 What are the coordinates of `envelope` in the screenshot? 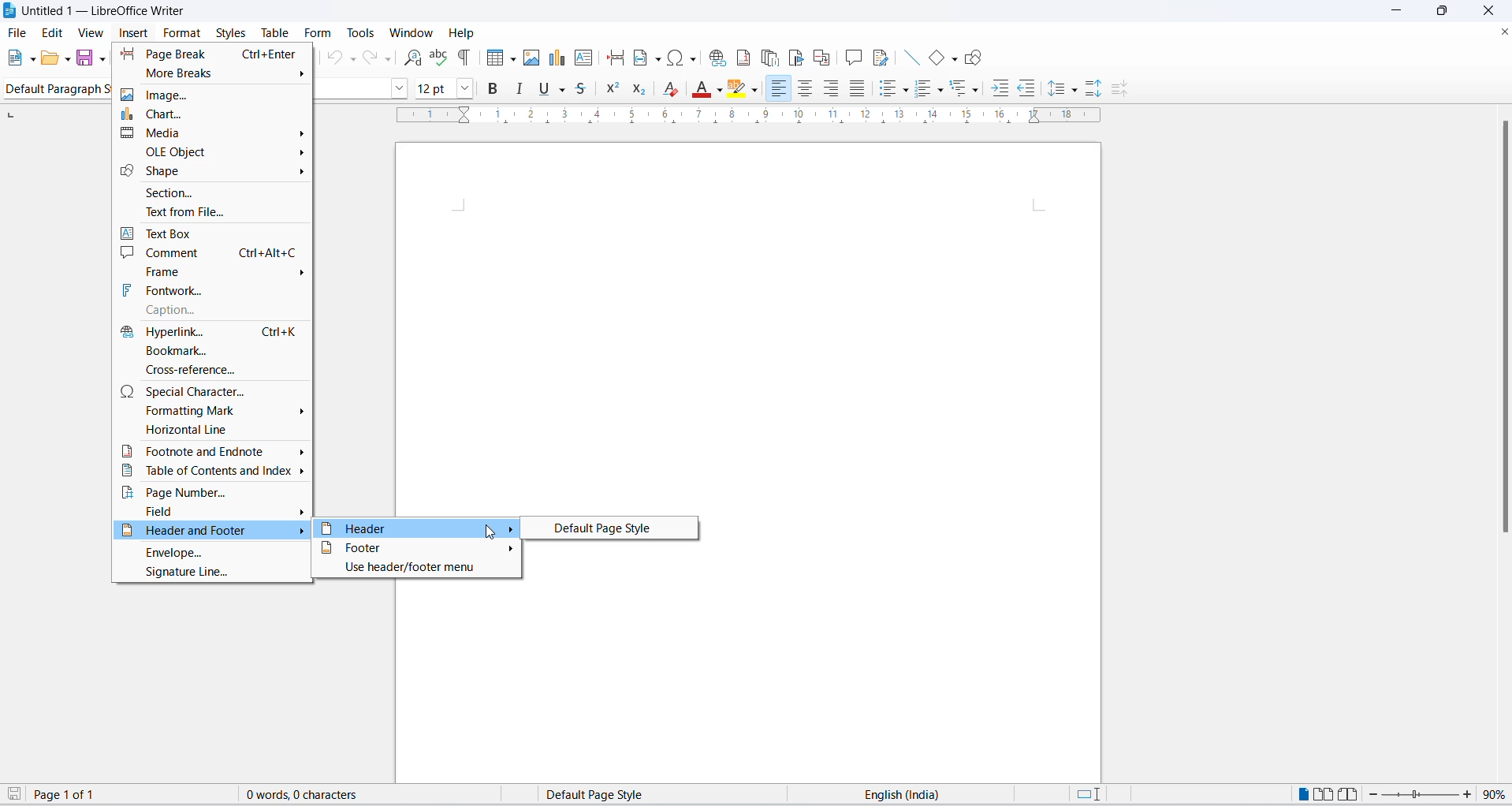 It's located at (213, 554).